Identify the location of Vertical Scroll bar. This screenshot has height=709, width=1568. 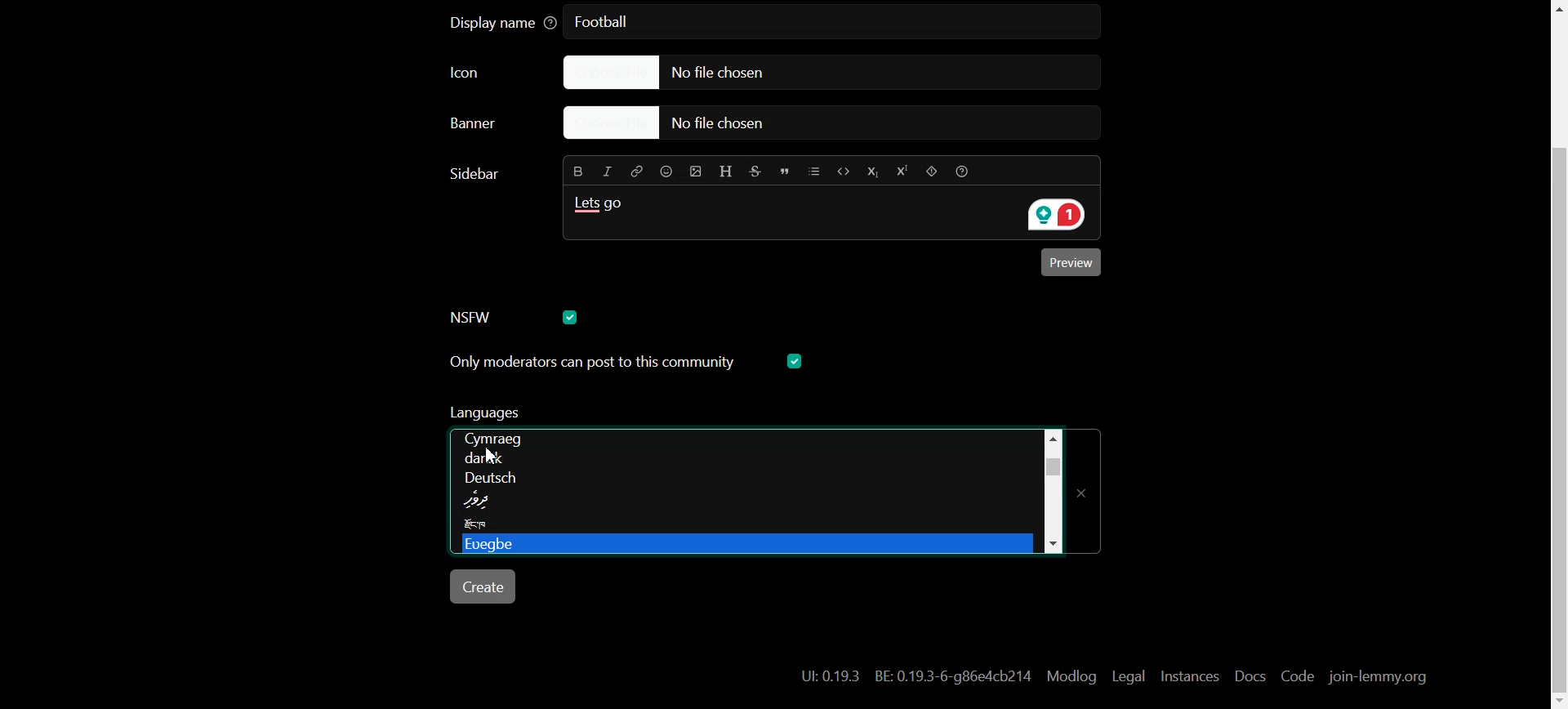
(1555, 354).